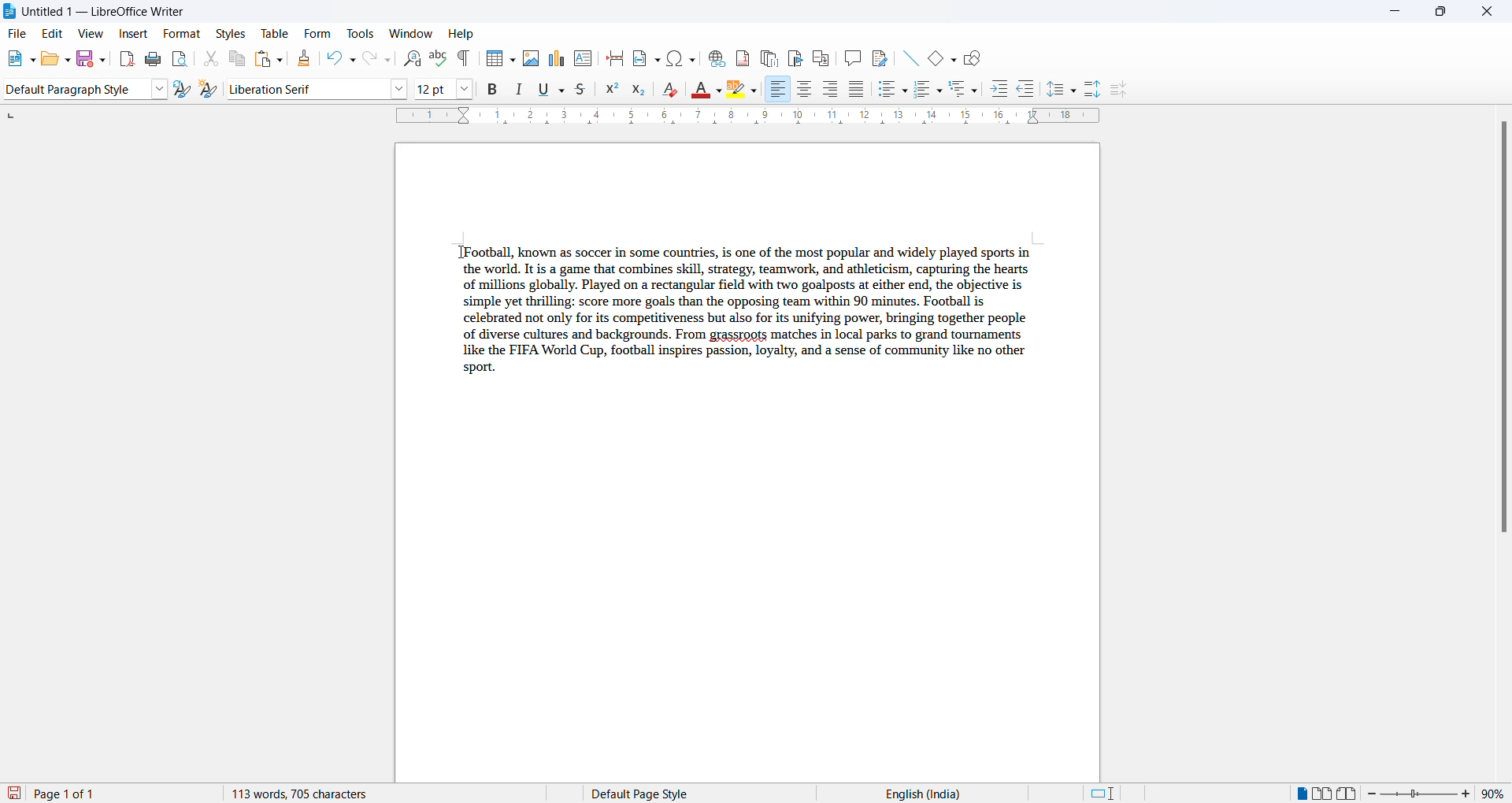  Describe the element at coordinates (904, 92) in the screenshot. I see `toggle unordered list options` at that location.